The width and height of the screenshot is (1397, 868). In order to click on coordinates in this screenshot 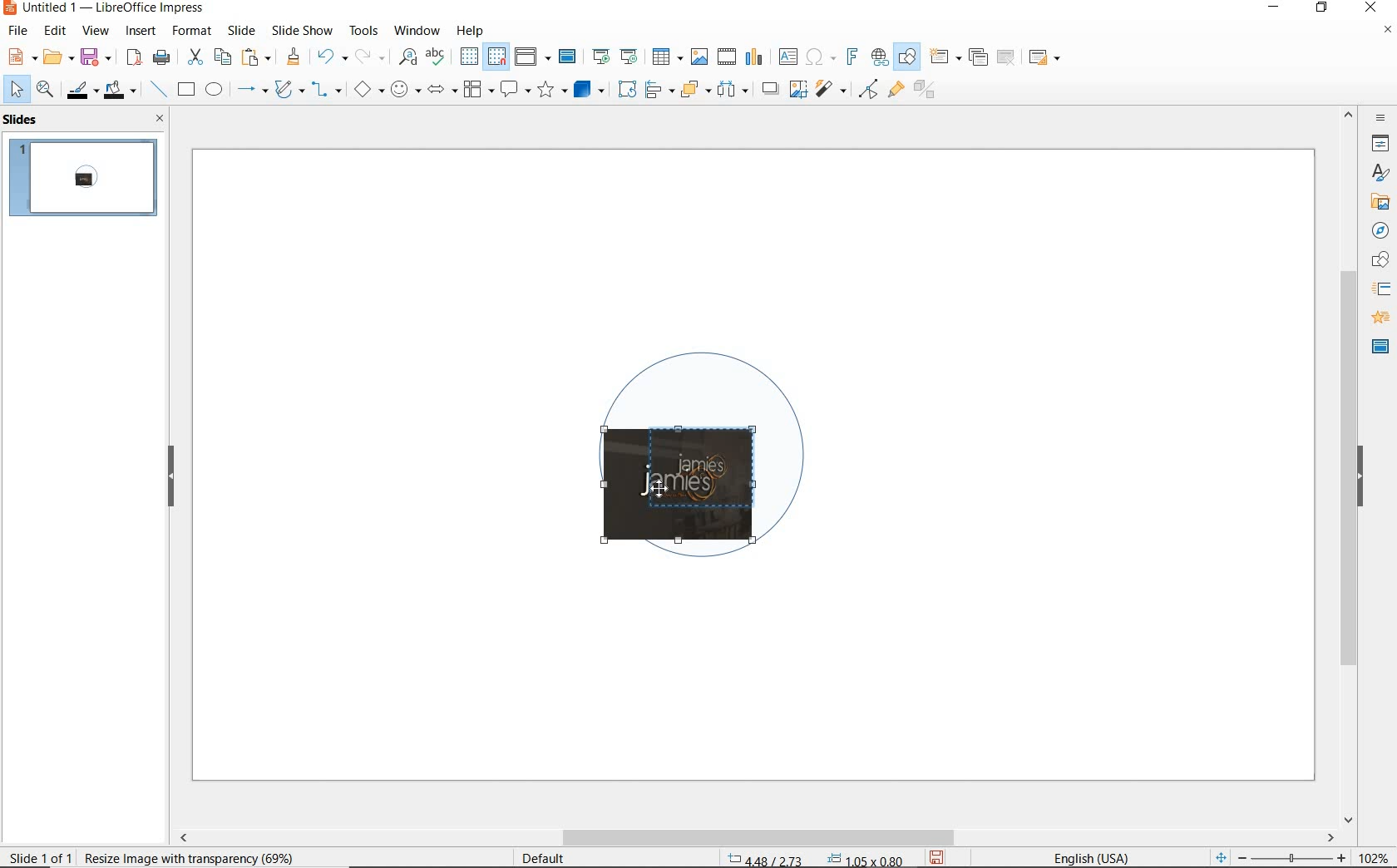, I will do `click(813, 860)`.